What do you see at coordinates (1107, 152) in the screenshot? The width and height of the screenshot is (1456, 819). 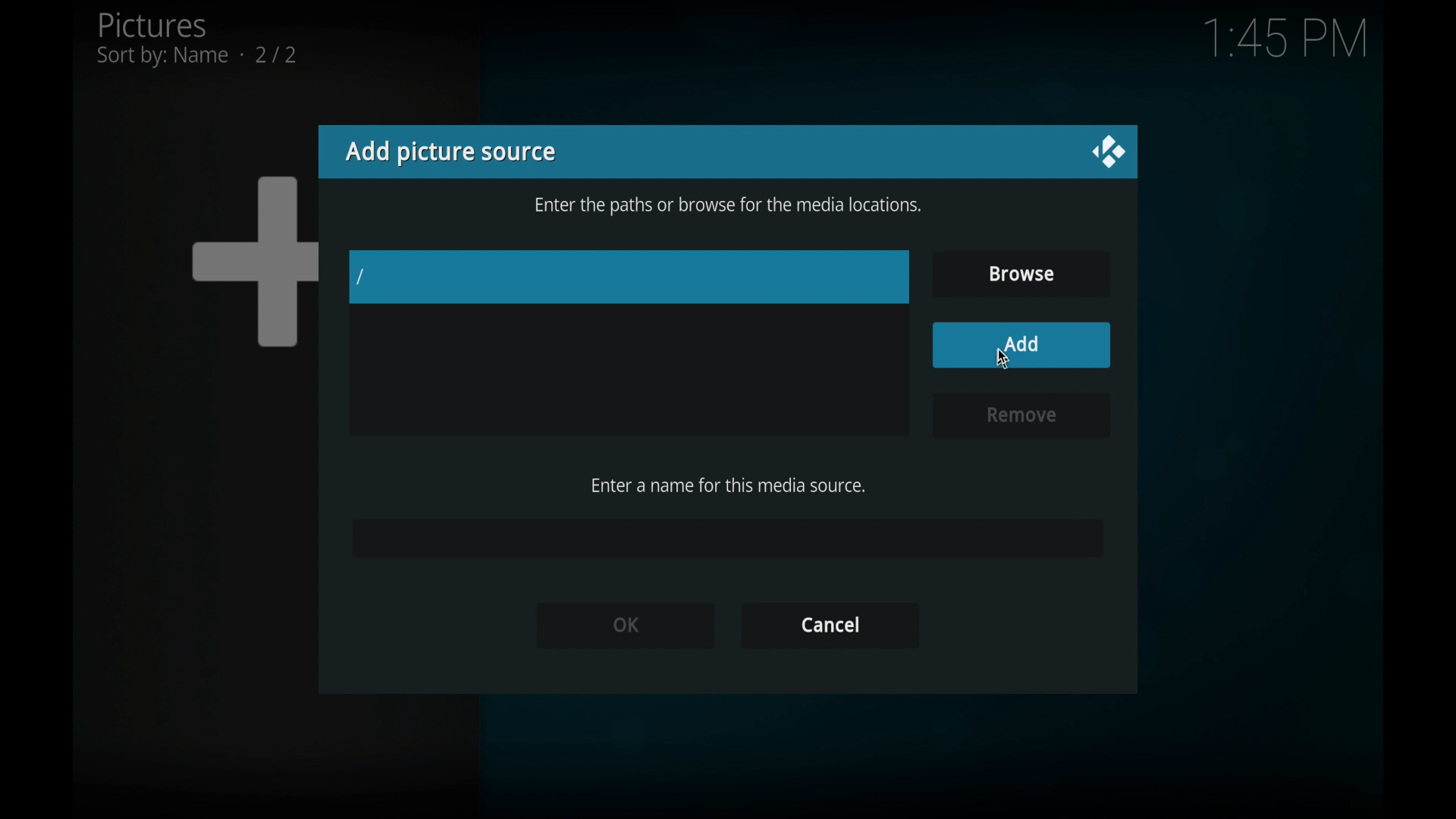 I see `close` at bounding box center [1107, 152].